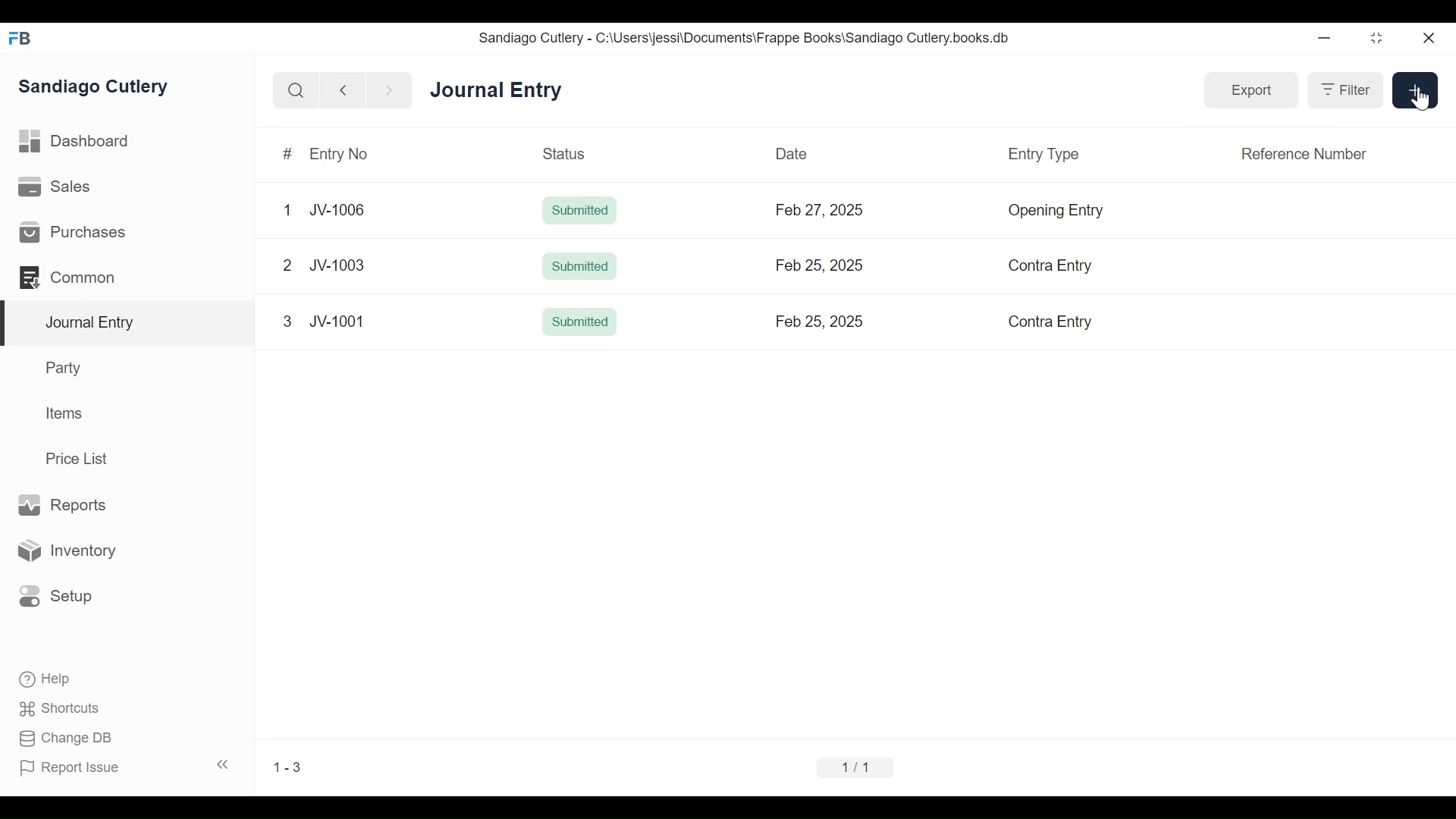  I want to click on minimize, so click(1378, 37).